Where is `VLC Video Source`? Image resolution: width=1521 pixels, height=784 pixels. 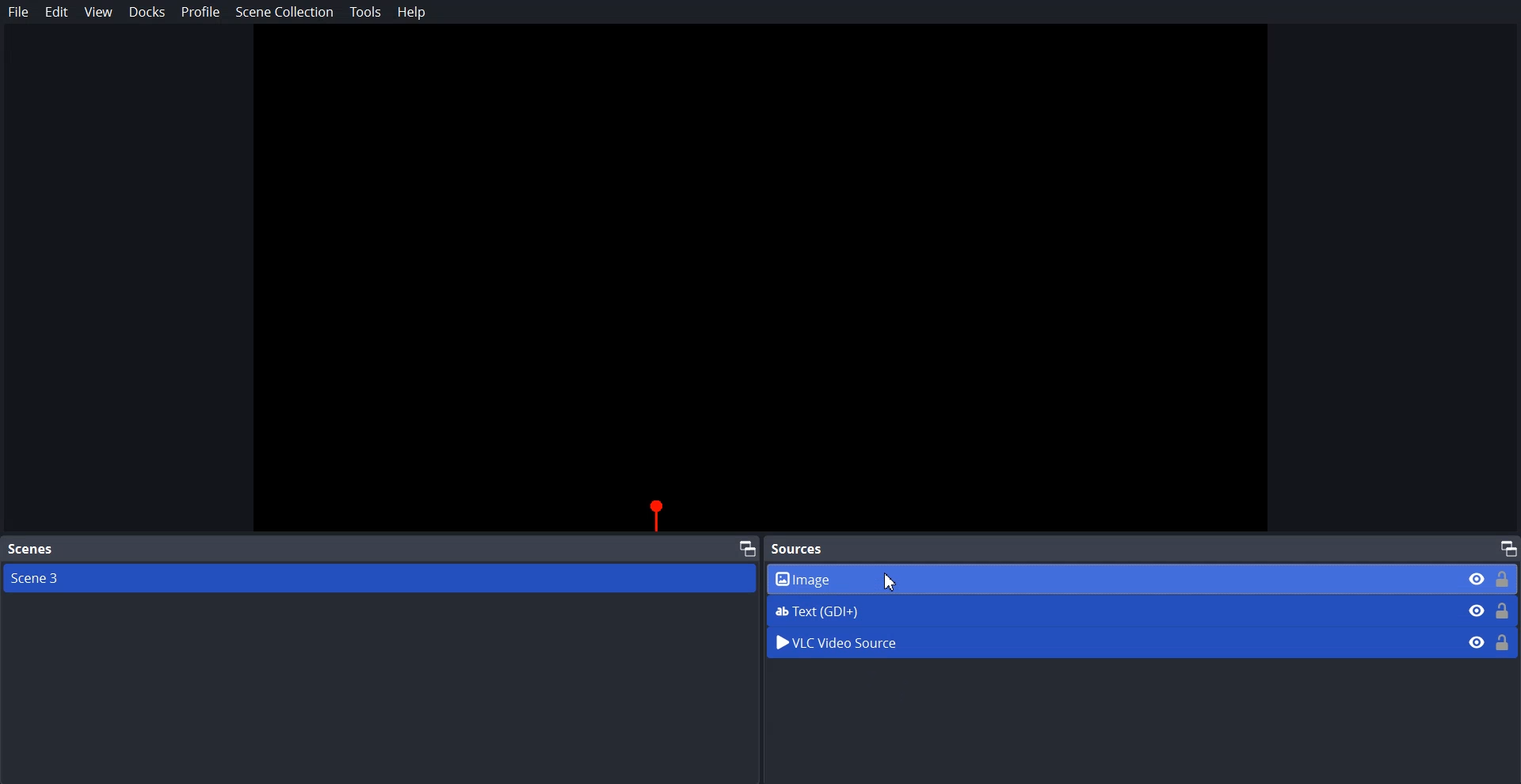
VLC Video Source is located at coordinates (1107, 641).